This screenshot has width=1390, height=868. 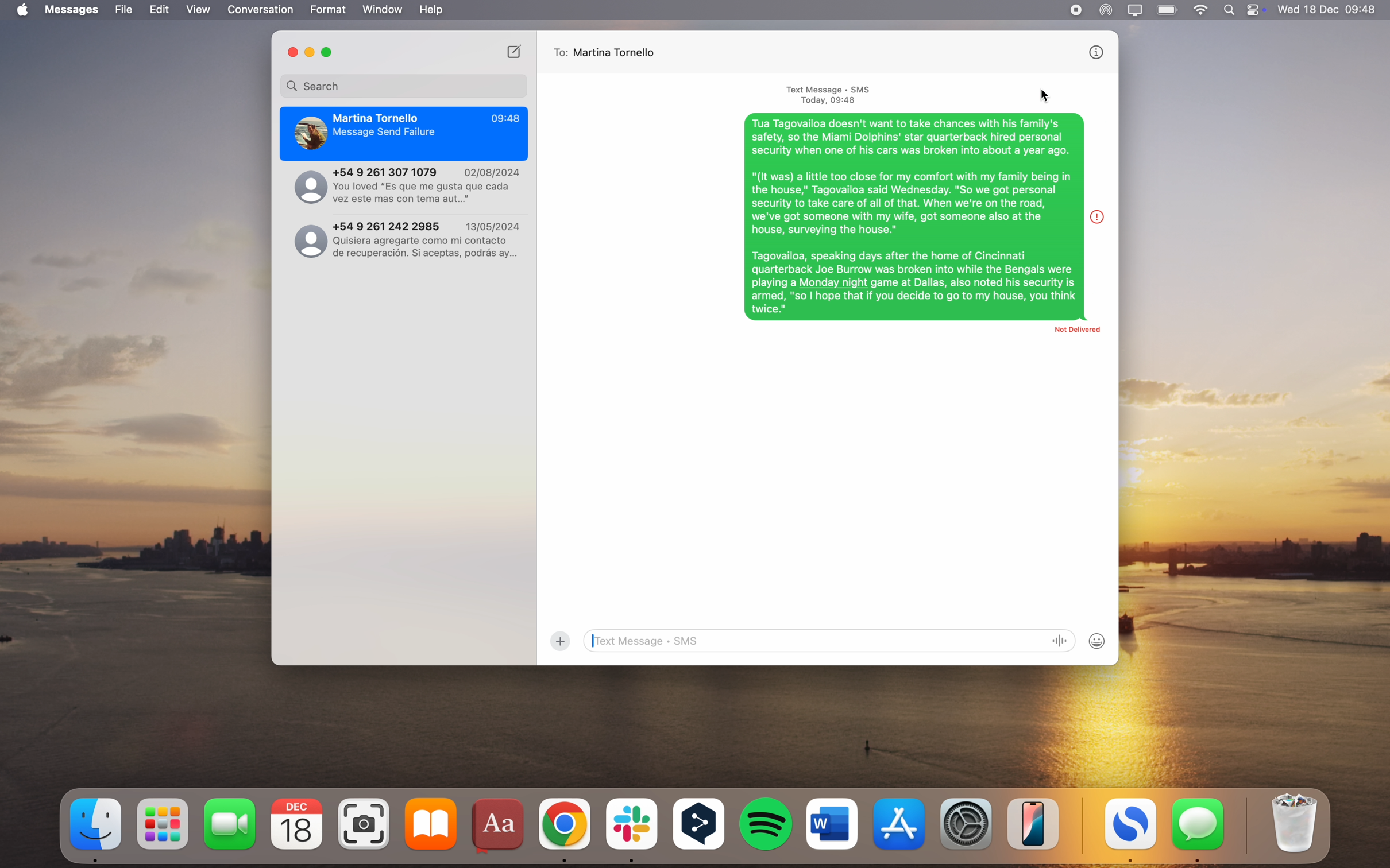 What do you see at coordinates (310, 53) in the screenshot?
I see `minimize app` at bounding box center [310, 53].